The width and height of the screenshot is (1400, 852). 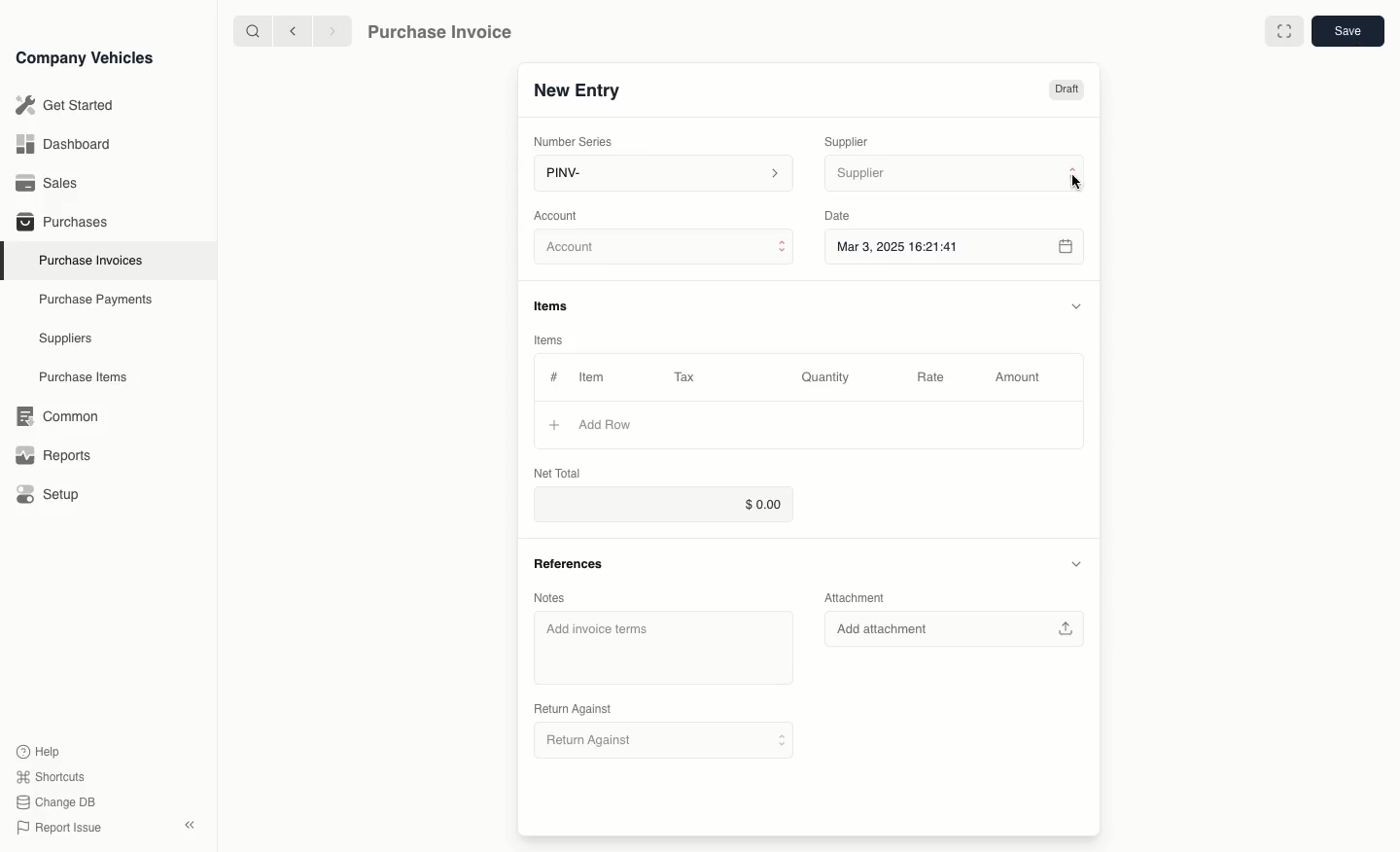 I want to click on Get Started, so click(x=61, y=105).